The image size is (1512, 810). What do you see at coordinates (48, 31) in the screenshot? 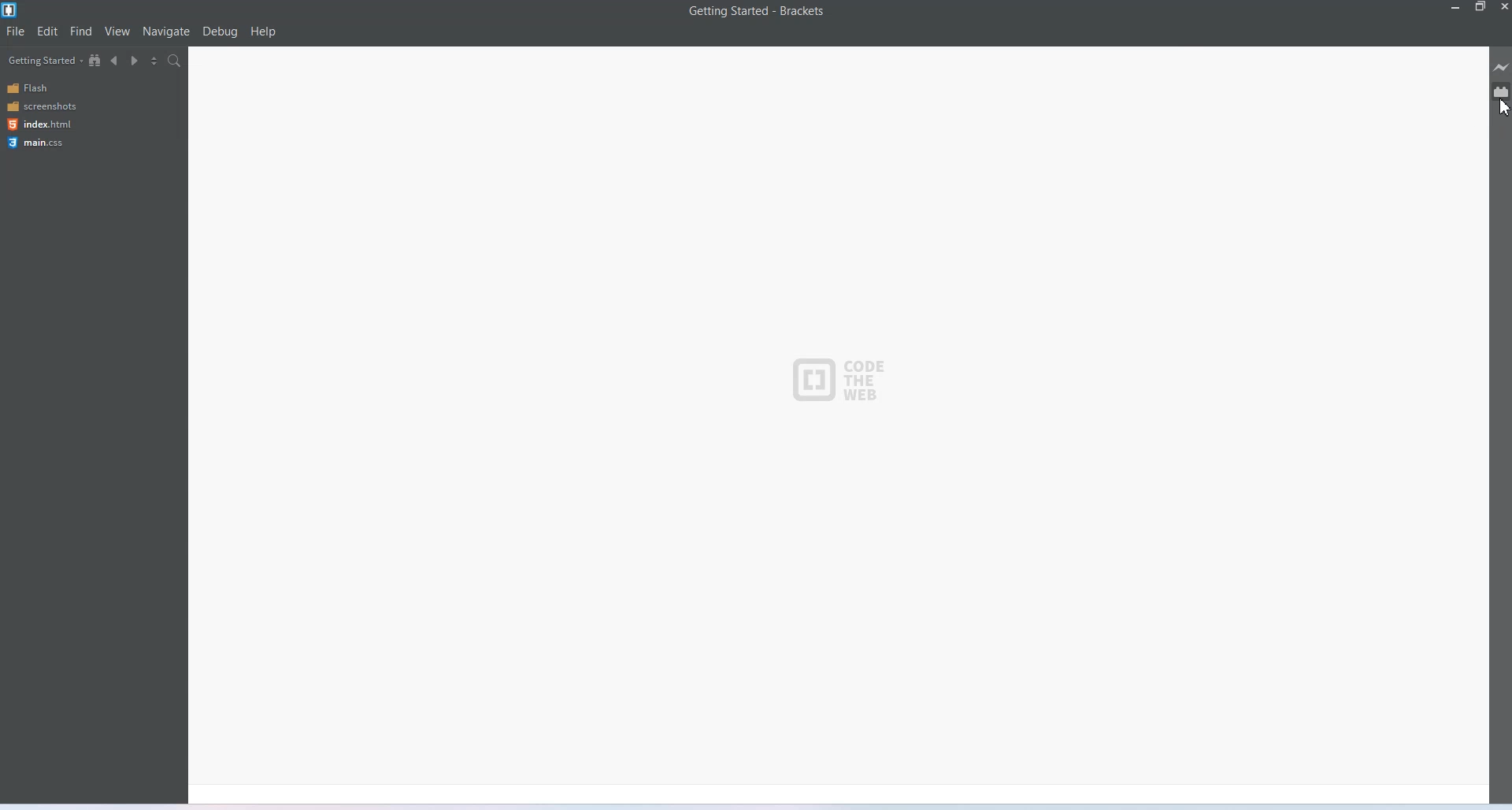
I see `Edit` at bounding box center [48, 31].